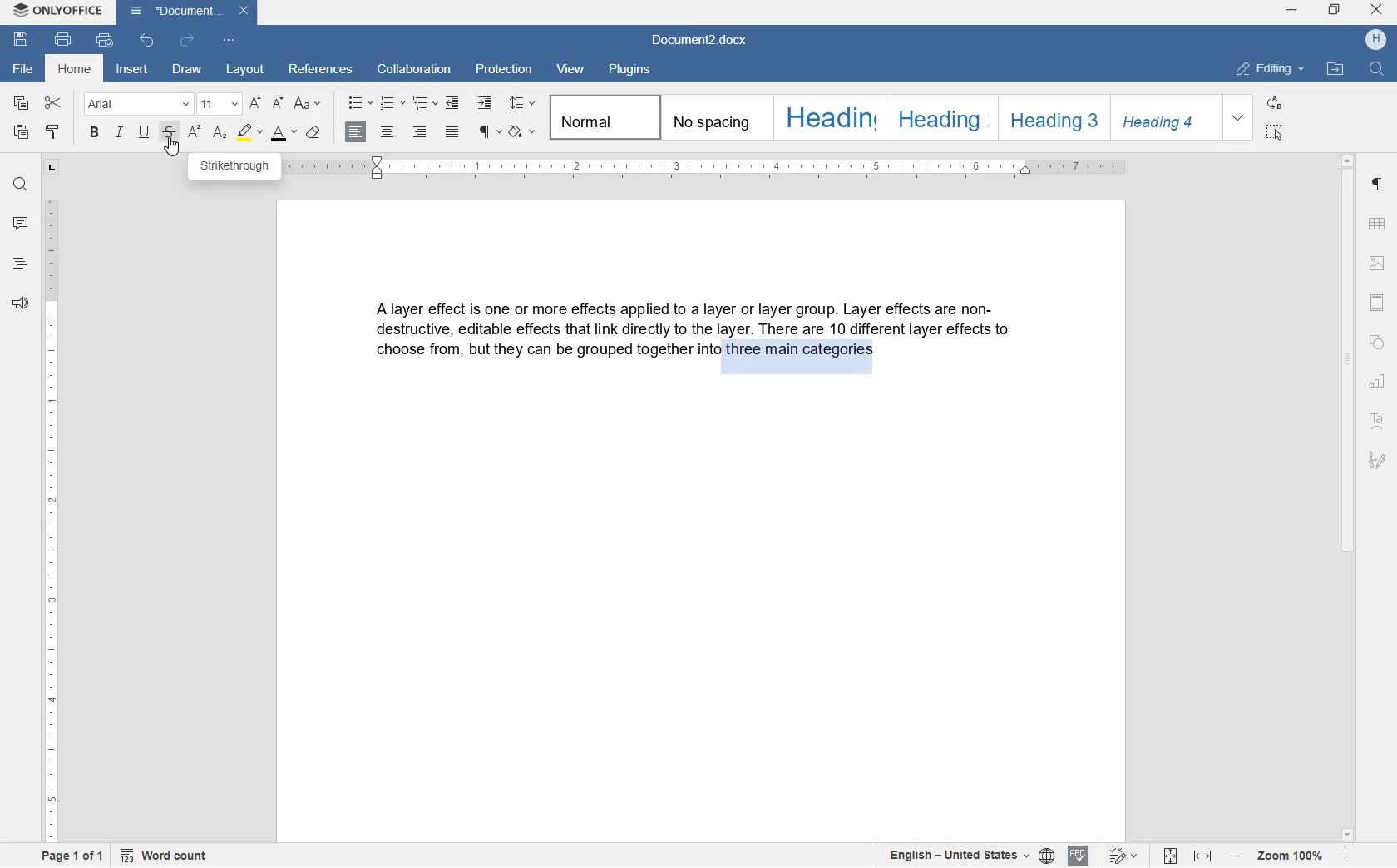 The width and height of the screenshot is (1397, 868). What do you see at coordinates (19, 303) in the screenshot?
I see `feedback and surpport` at bounding box center [19, 303].